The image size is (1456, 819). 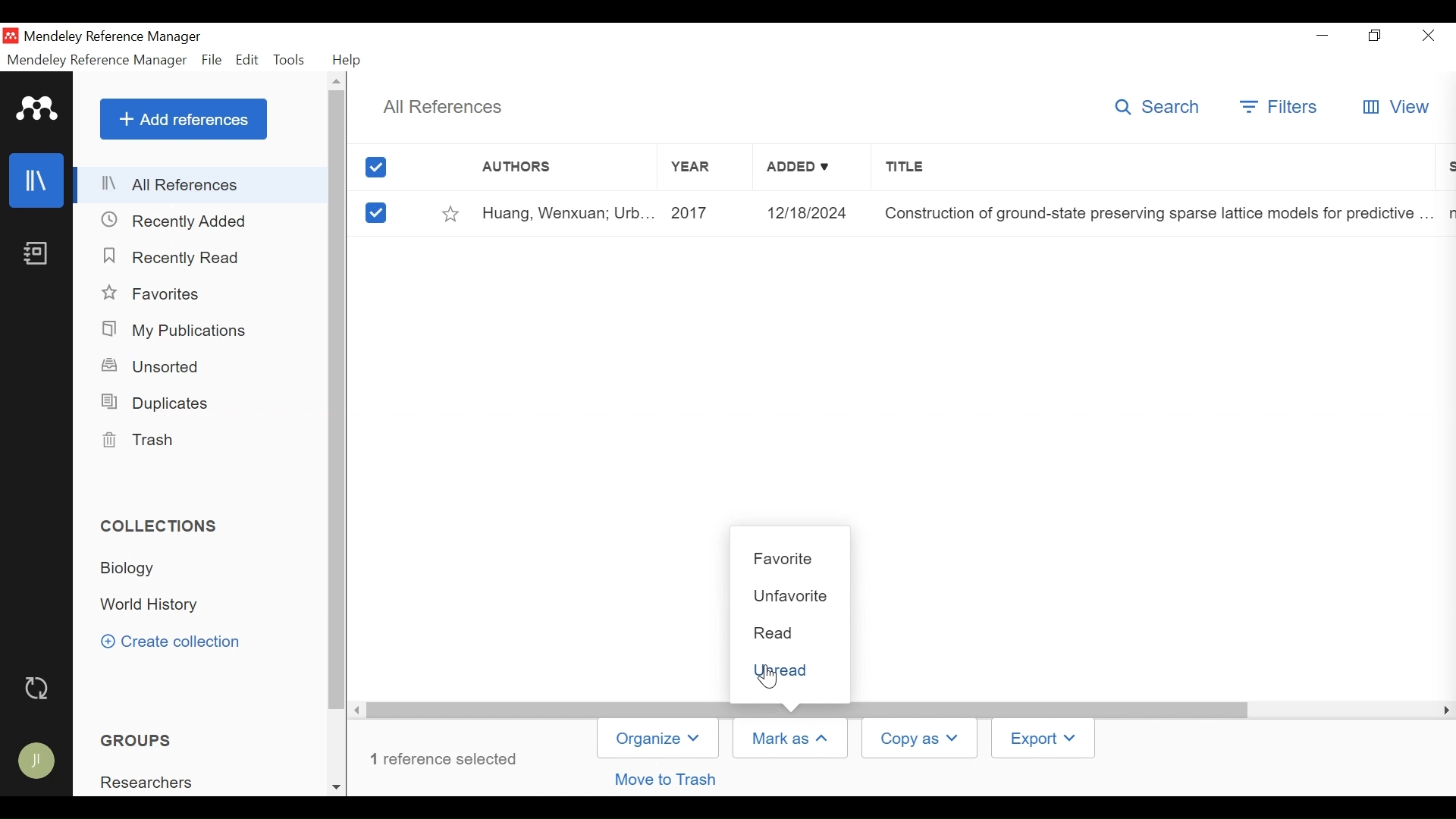 What do you see at coordinates (548, 170) in the screenshot?
I see `Author` at bounding box center [548, 170].